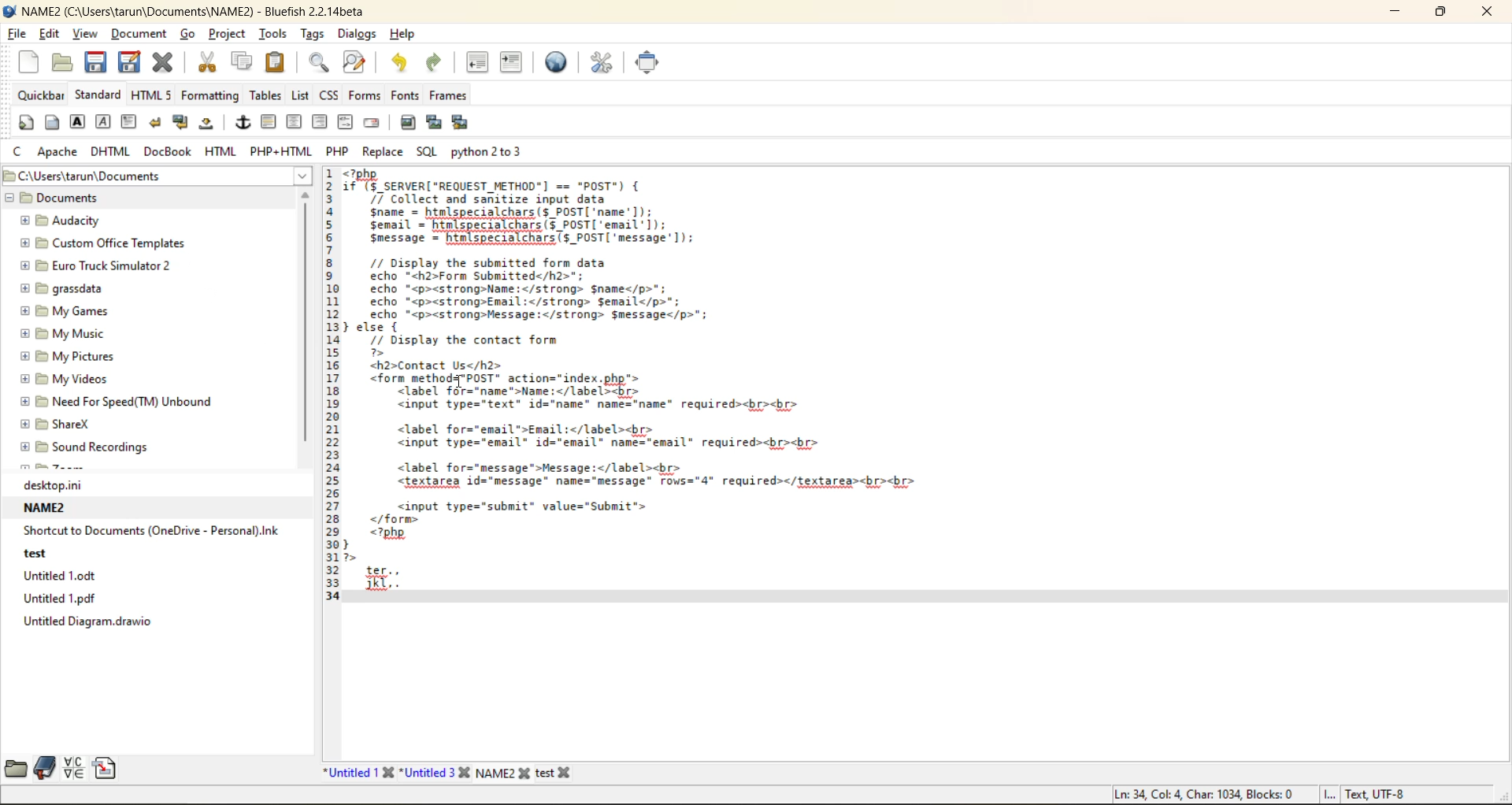  What do you see at coordinates (231, 35) in the screenshot?
I see `project` at bounding box center [231, 35].